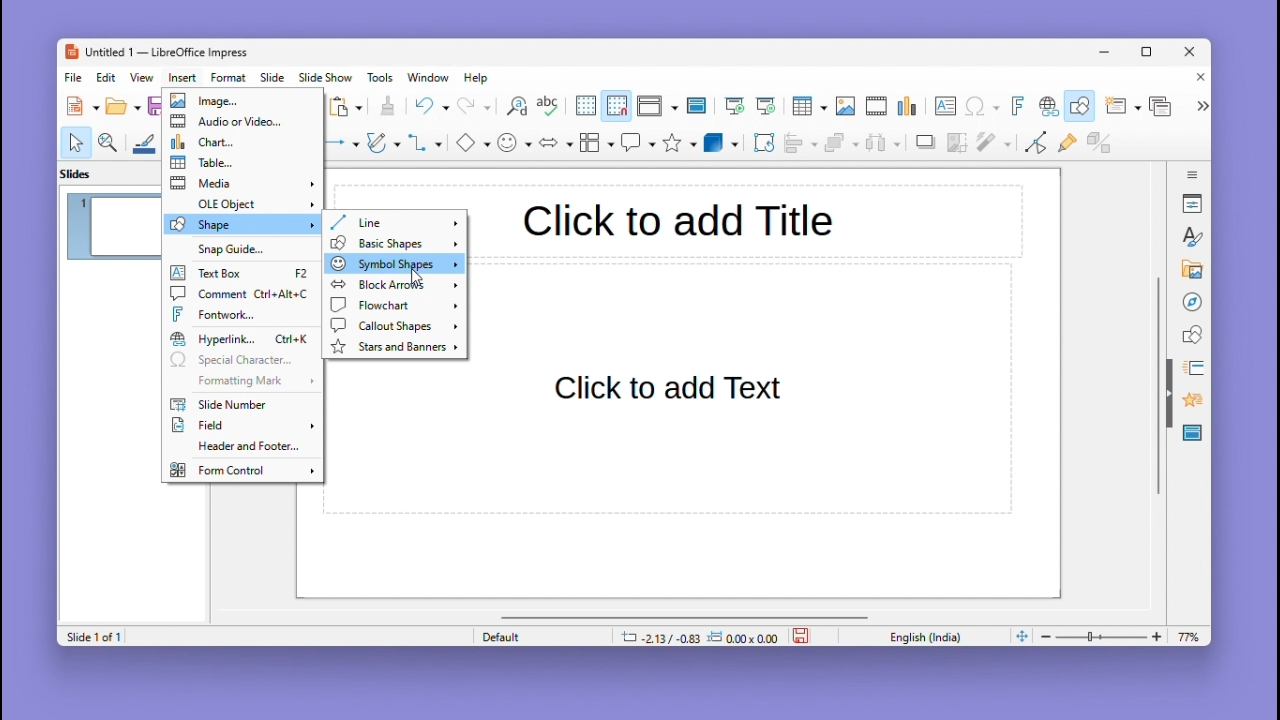 The height and width of the screenshot is (720, 1280). I want to click on Symbol, so click(516, 142).